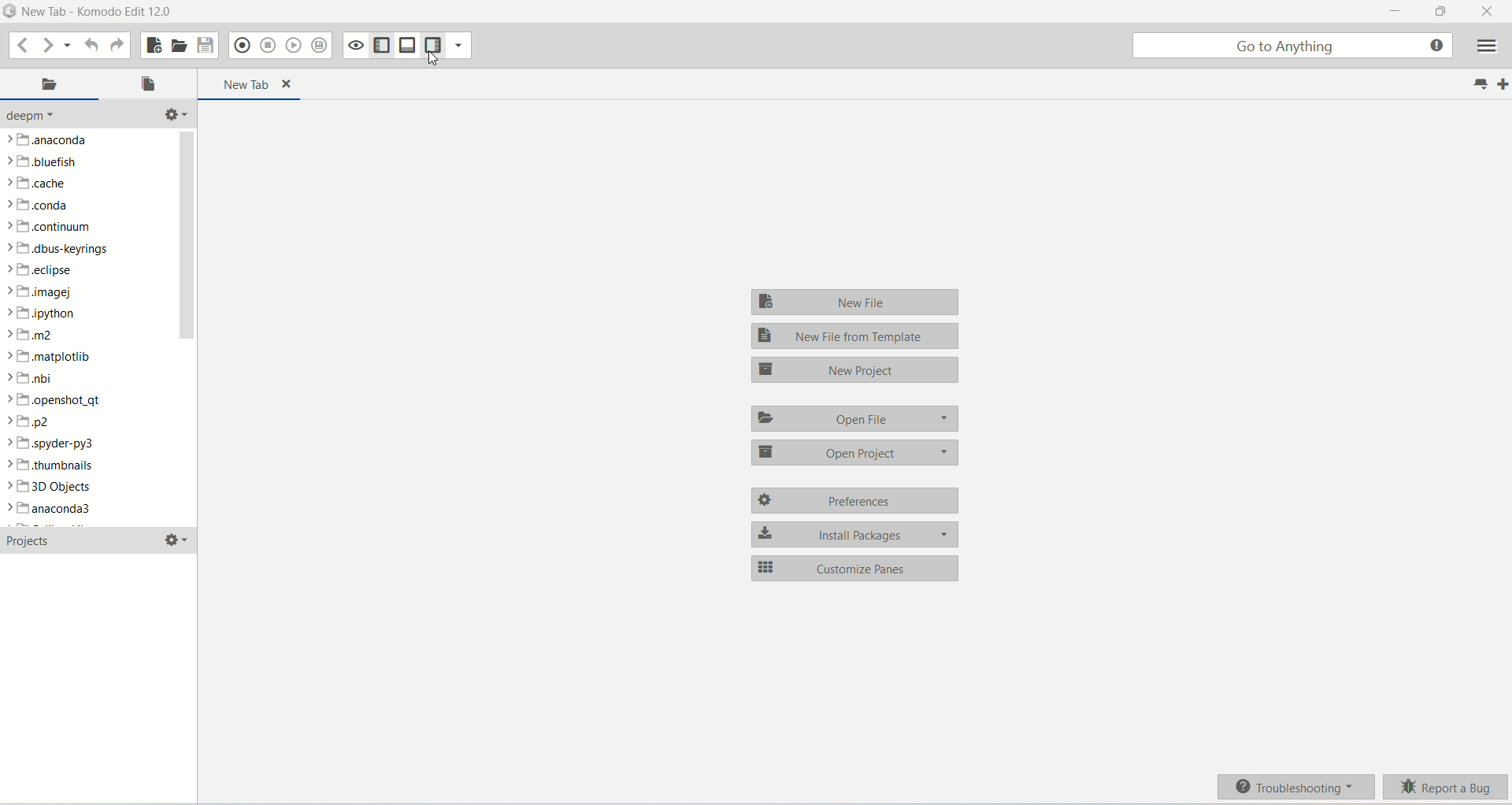 This screenshot has height=805, width=1512. What do you see at coordinates (46, 140) in the screenshot?
I see `anaconda` at bounding box center [46, 140].